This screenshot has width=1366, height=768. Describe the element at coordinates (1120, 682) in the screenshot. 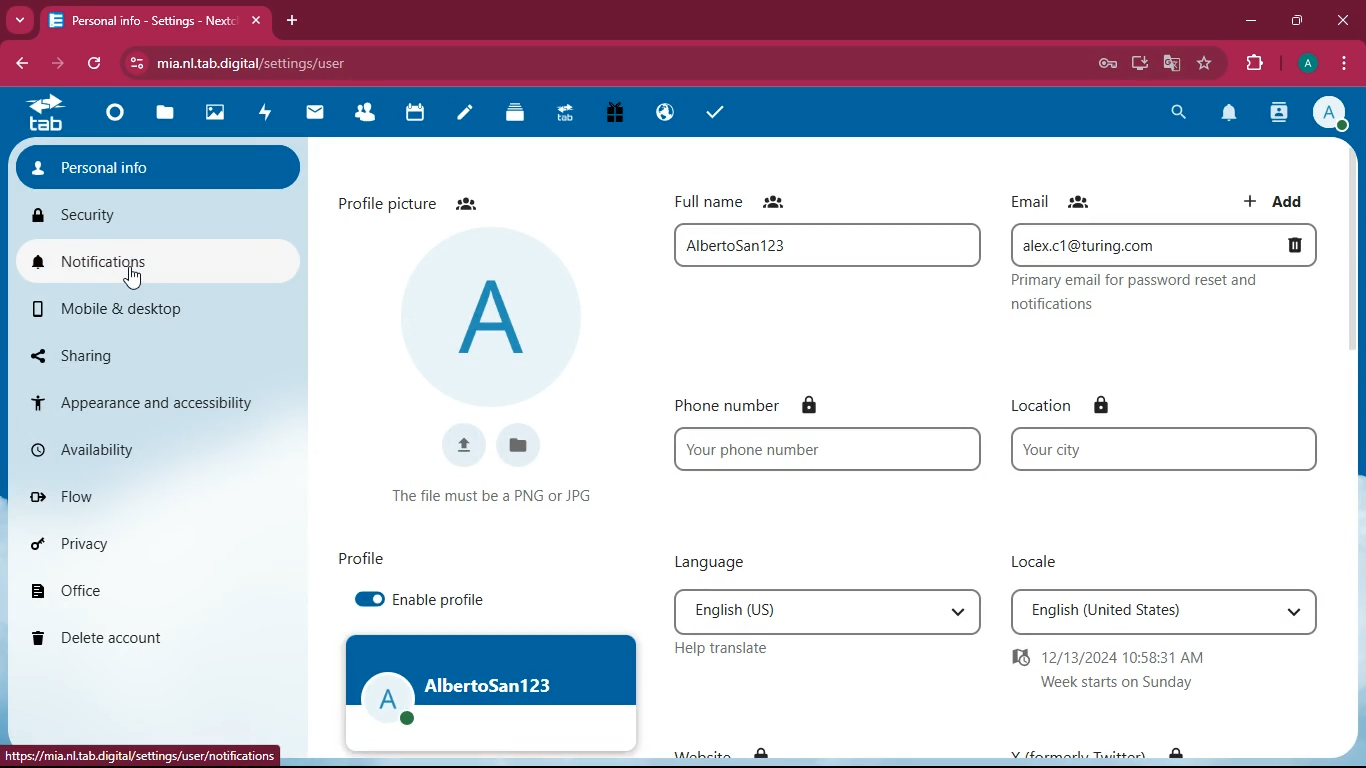

I see `Week starts on Sunday` at that location.